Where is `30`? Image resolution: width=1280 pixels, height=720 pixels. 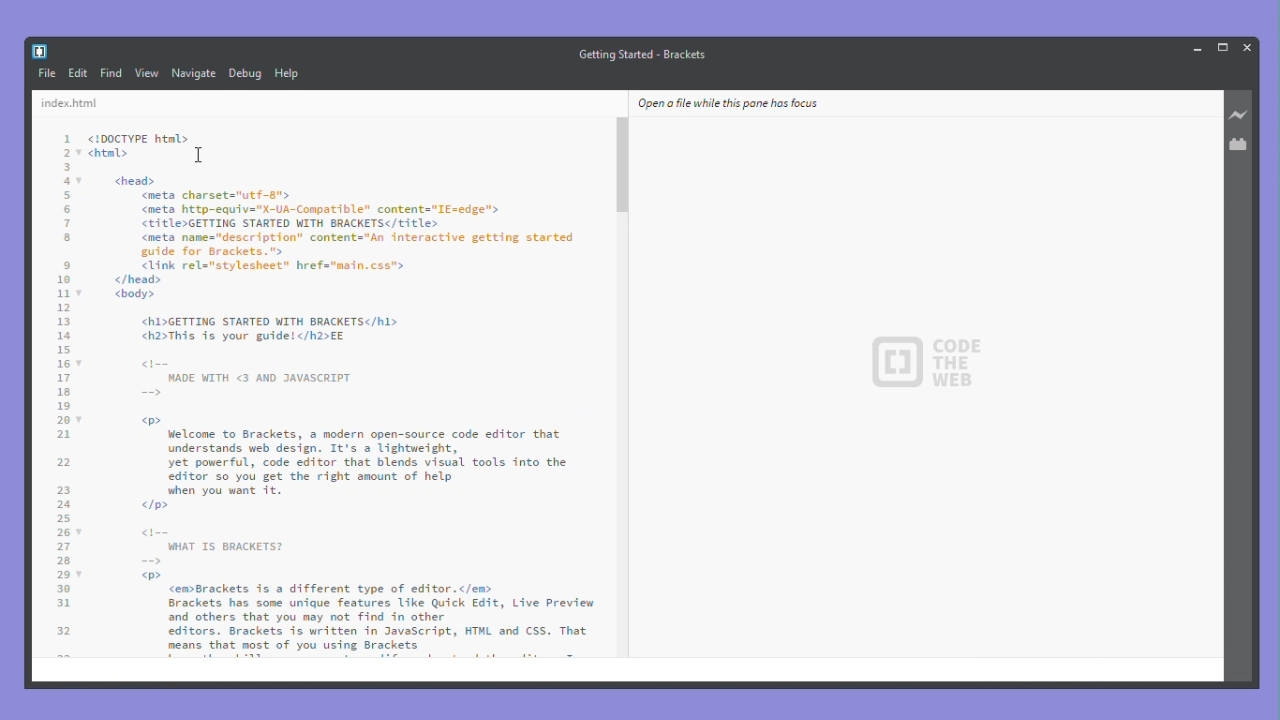 30 is located at coordinates (63, 588).